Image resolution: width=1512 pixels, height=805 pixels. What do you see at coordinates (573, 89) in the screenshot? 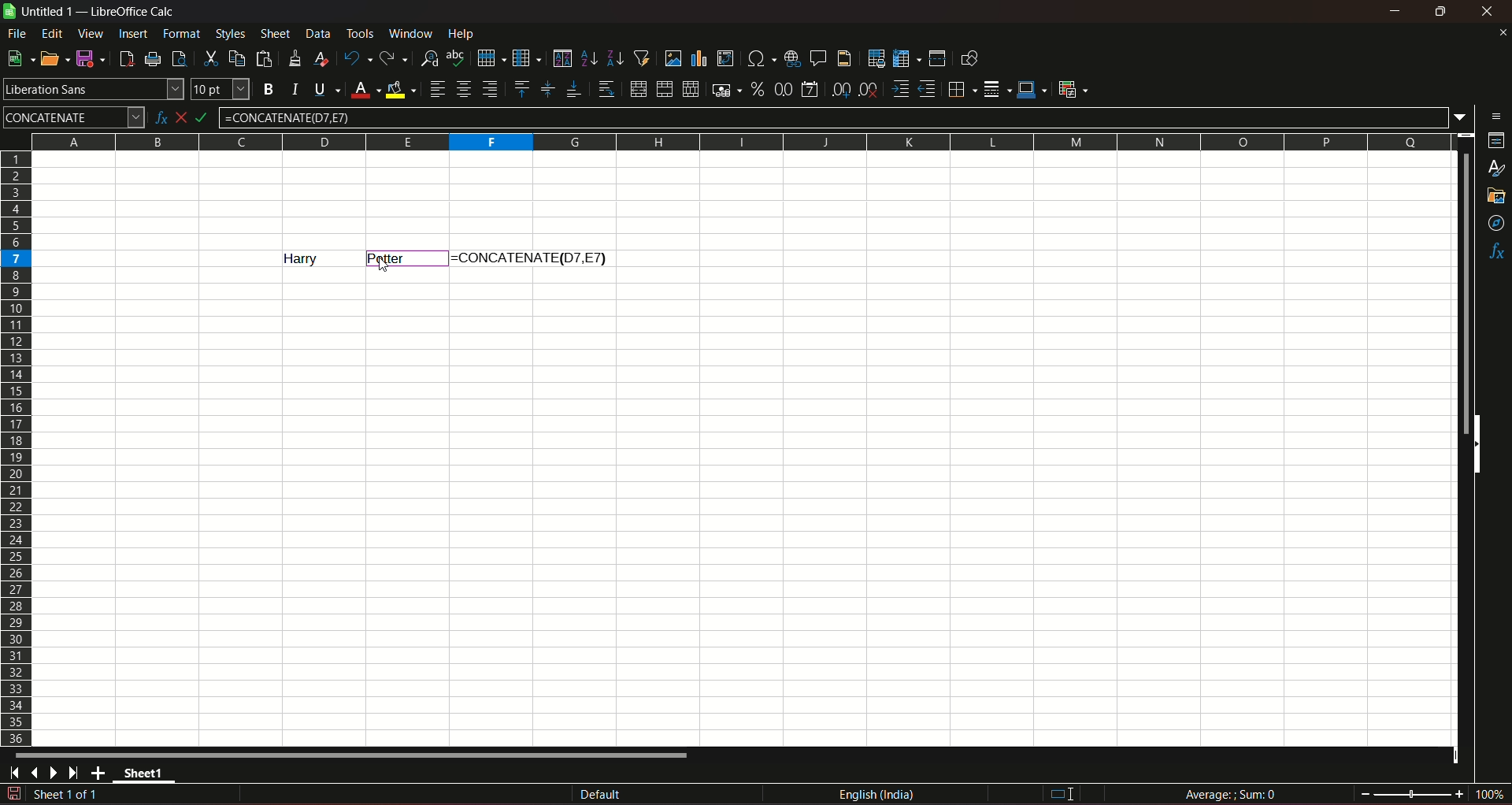
I see `align bottom` at bounding box center [573, 89].